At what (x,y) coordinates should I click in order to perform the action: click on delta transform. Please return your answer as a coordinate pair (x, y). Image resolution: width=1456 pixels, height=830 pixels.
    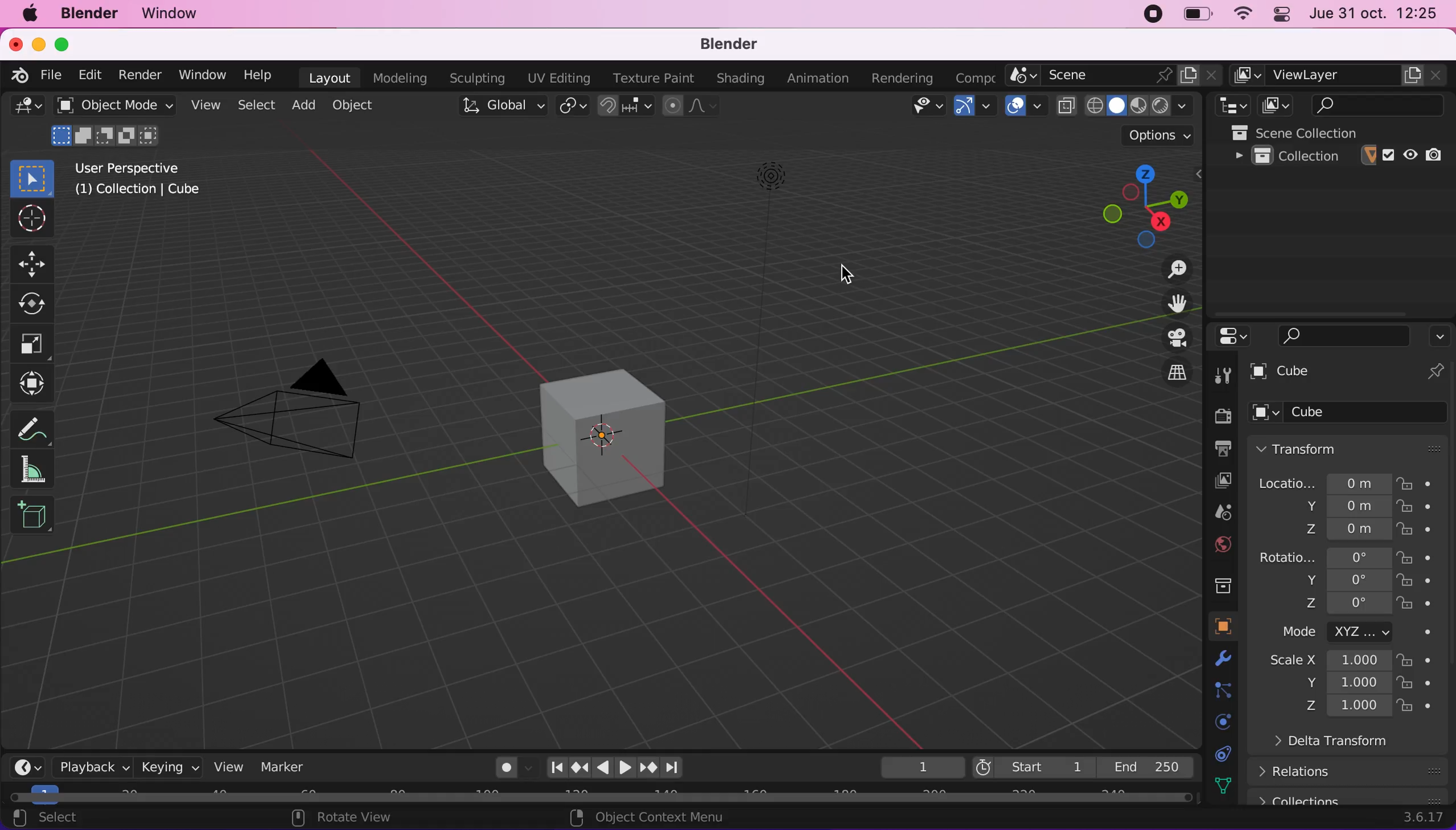
    Looking at the image, I should click on (1361, 746).